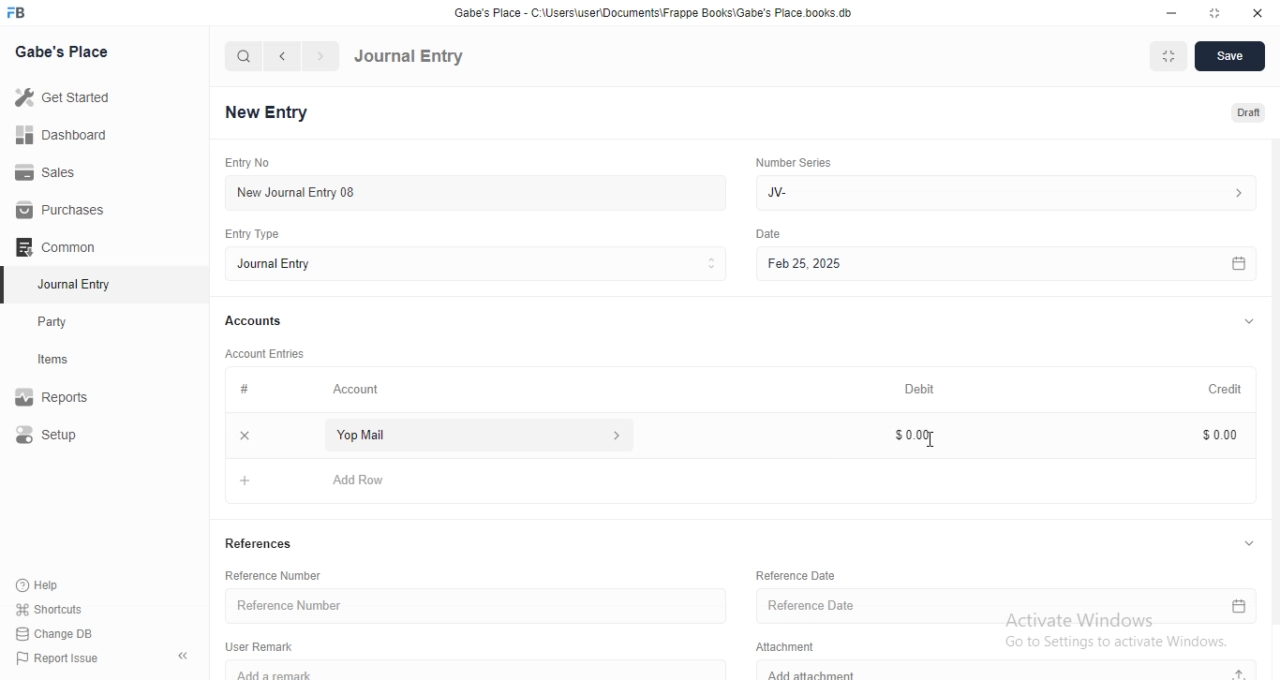 This screenshot has width=1280, height=680. I want to click on Common, so click(60, 247).